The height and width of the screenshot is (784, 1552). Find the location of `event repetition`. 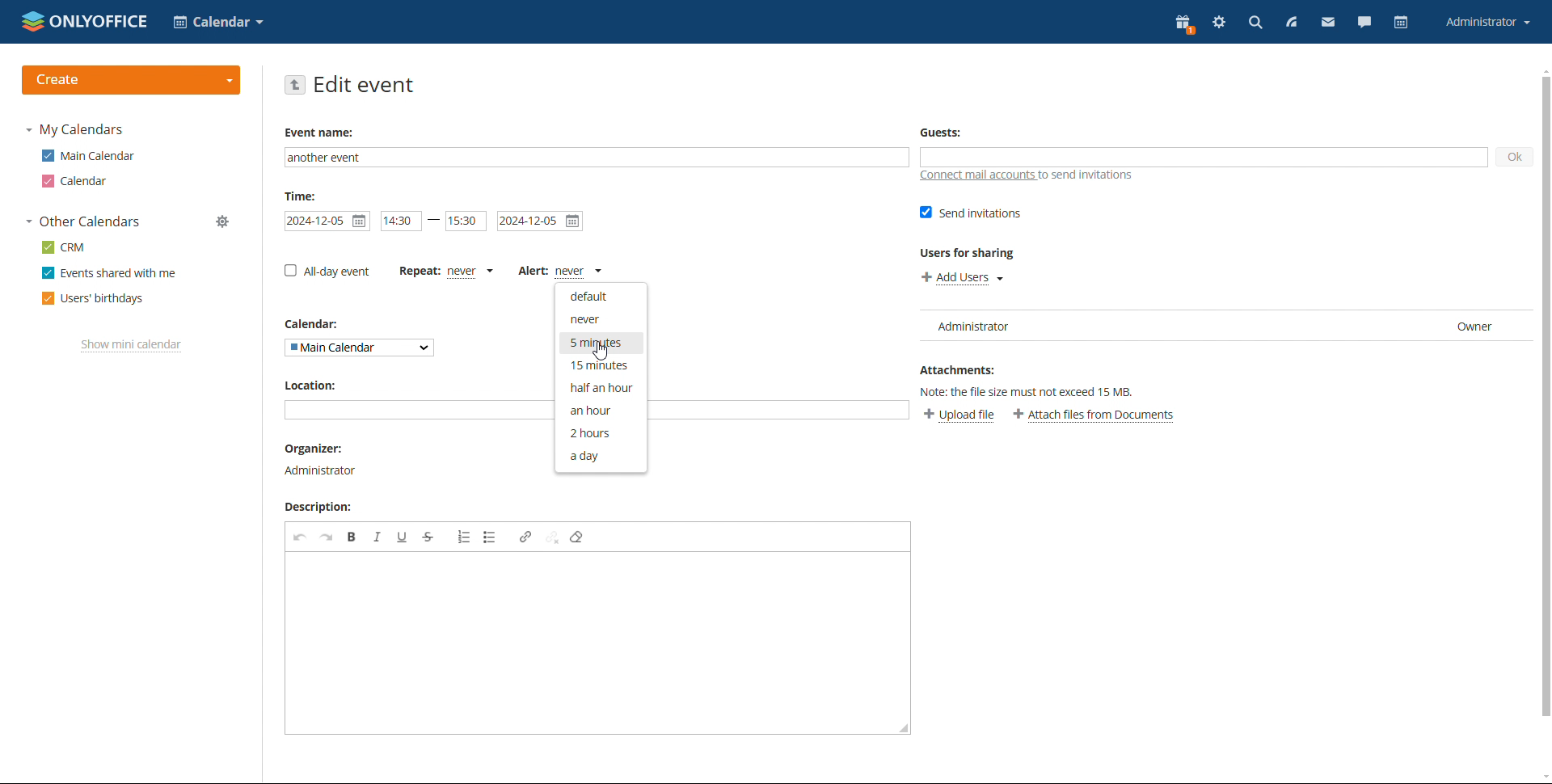

event repetition is located at coordinates (446, 272).